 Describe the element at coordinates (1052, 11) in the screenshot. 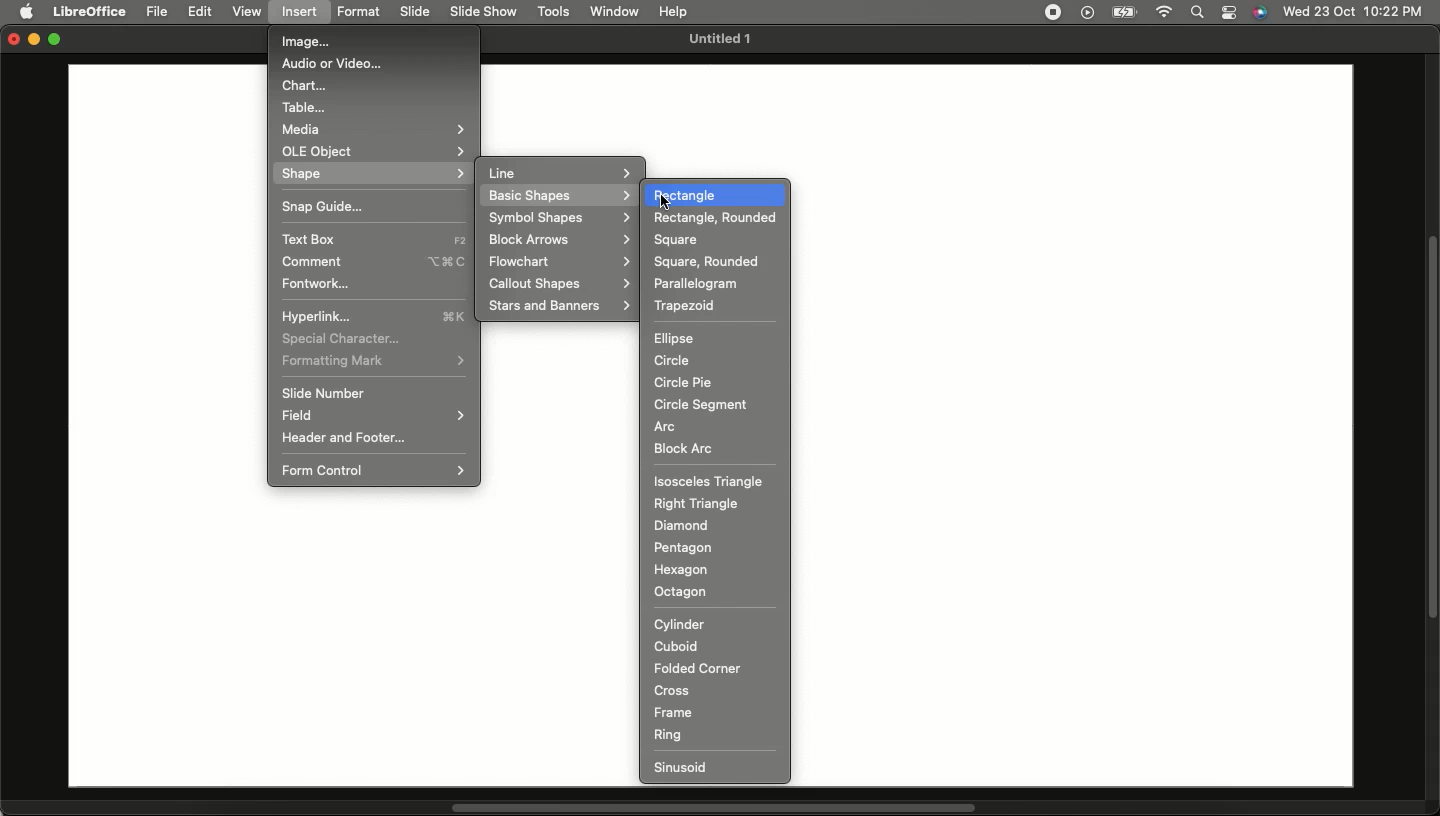

I see `Recording` at that location.